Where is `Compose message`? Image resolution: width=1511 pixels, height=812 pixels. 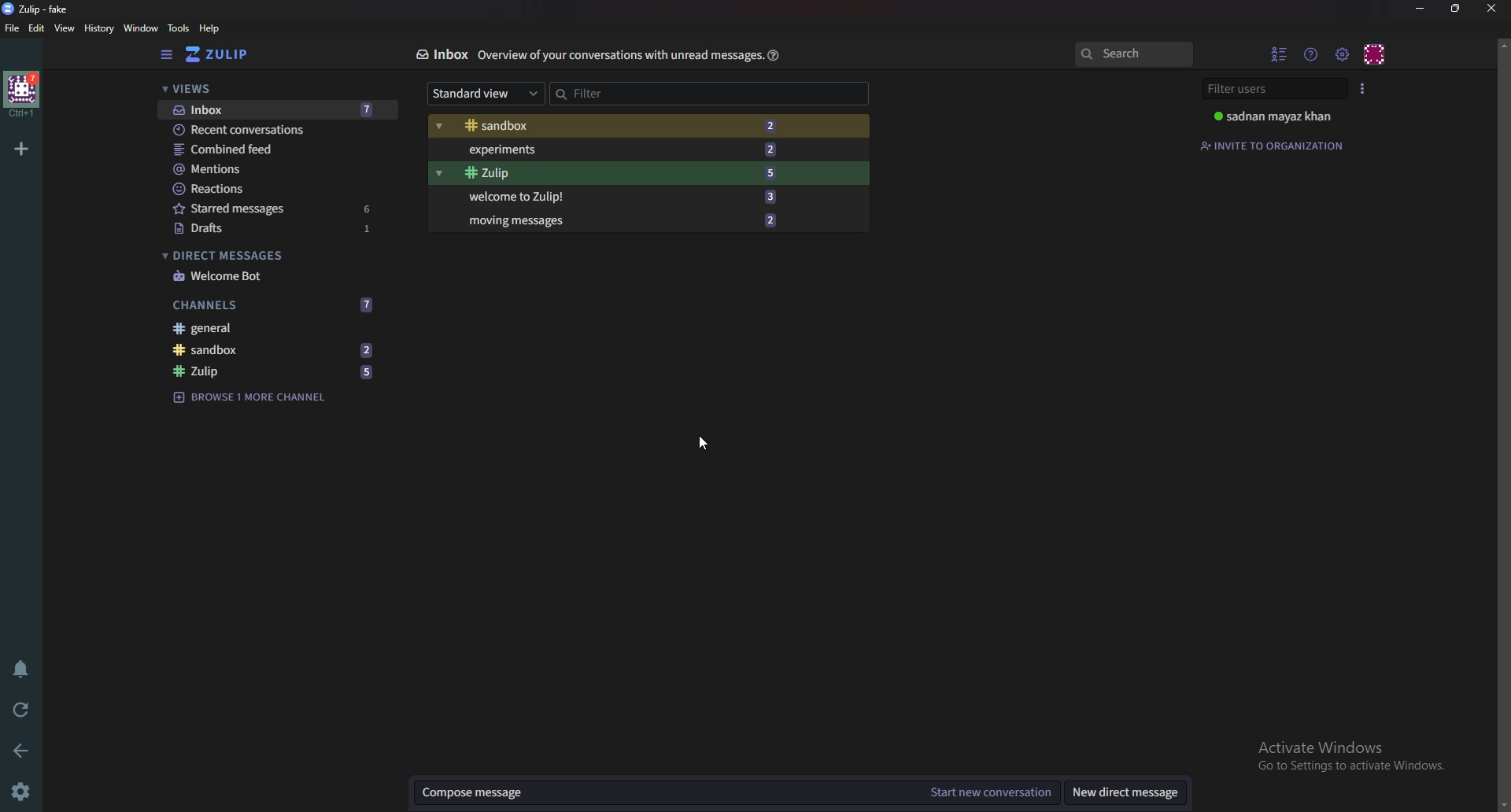 Compose message is located at coordinates (671, 788).